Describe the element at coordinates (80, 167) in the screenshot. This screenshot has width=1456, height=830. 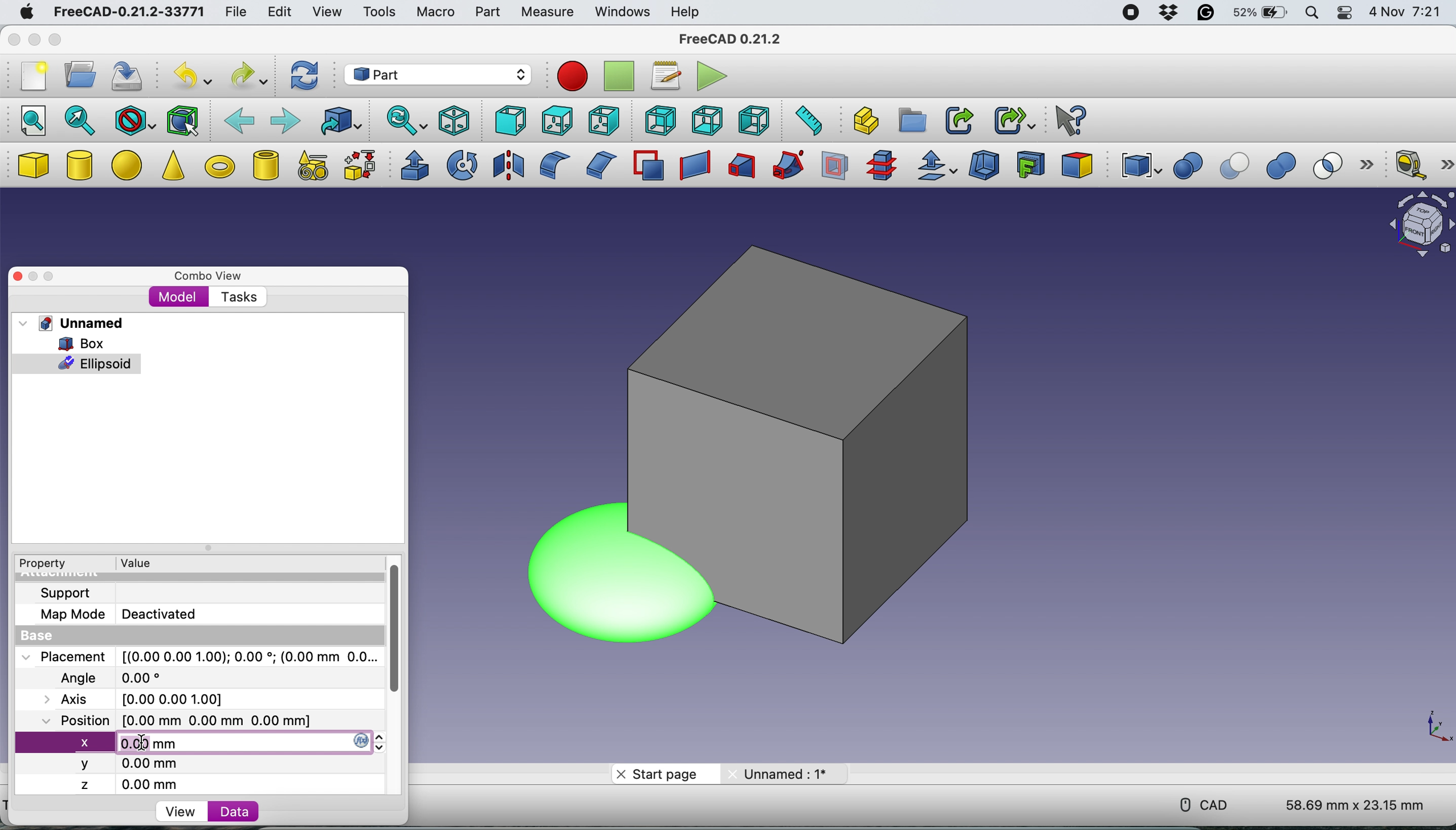
I see `cylinder` at that location.